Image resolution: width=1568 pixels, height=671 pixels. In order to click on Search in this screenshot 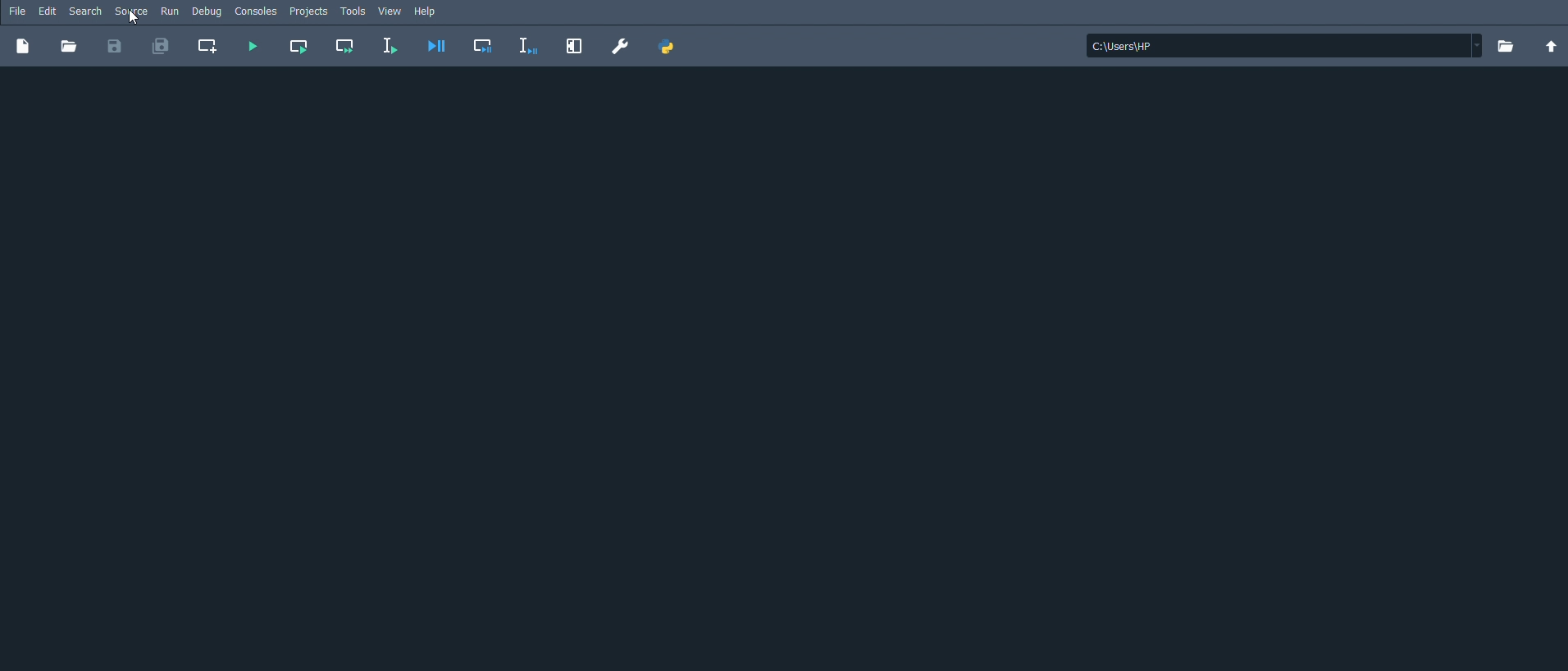, I will do `click(89, 11)`.